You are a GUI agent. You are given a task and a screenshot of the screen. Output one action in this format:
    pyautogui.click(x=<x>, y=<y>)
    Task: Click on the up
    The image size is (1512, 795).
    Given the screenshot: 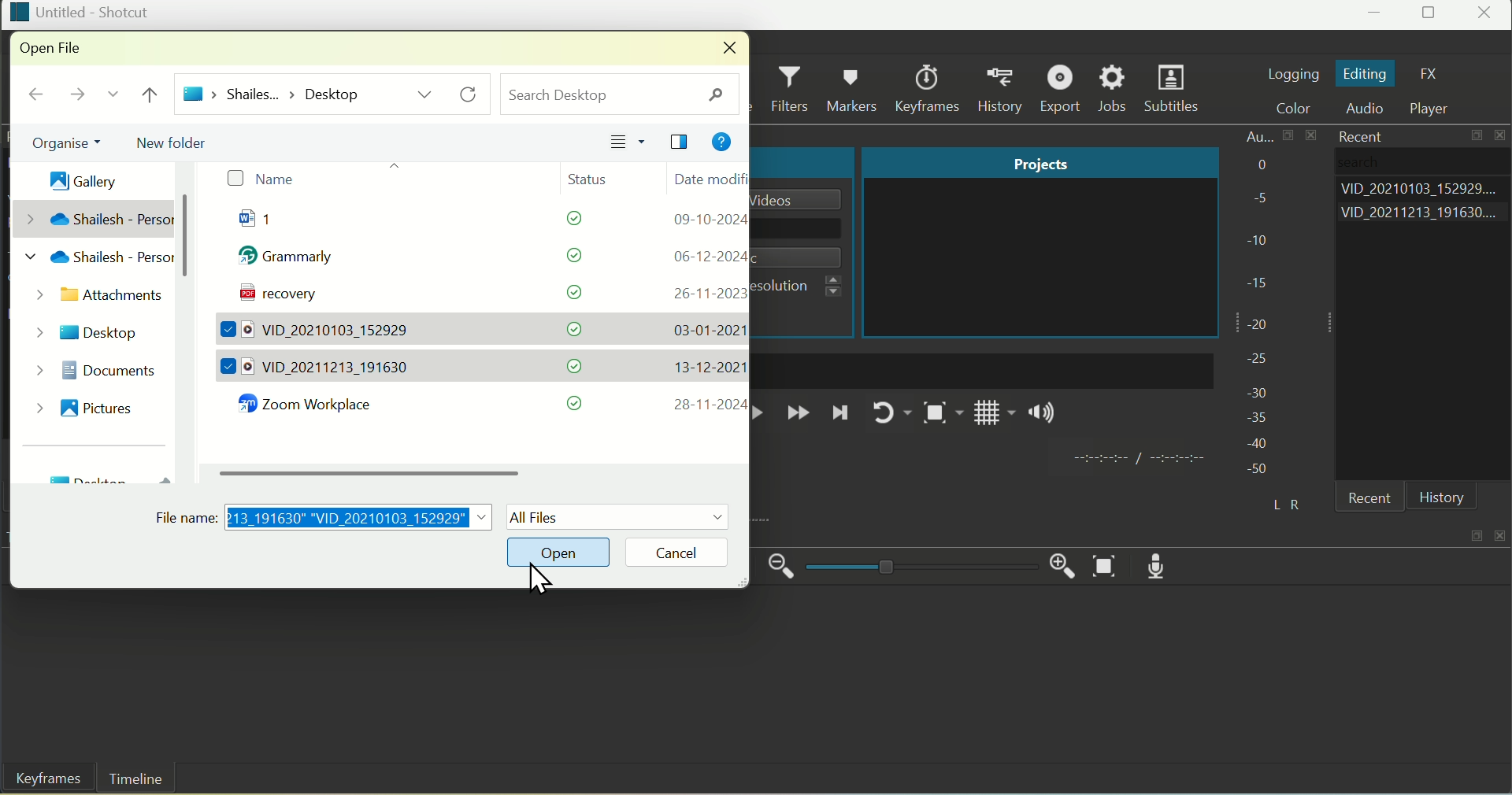 What is the action you would take?
    pyautogui.click(x=154, y=95)
    